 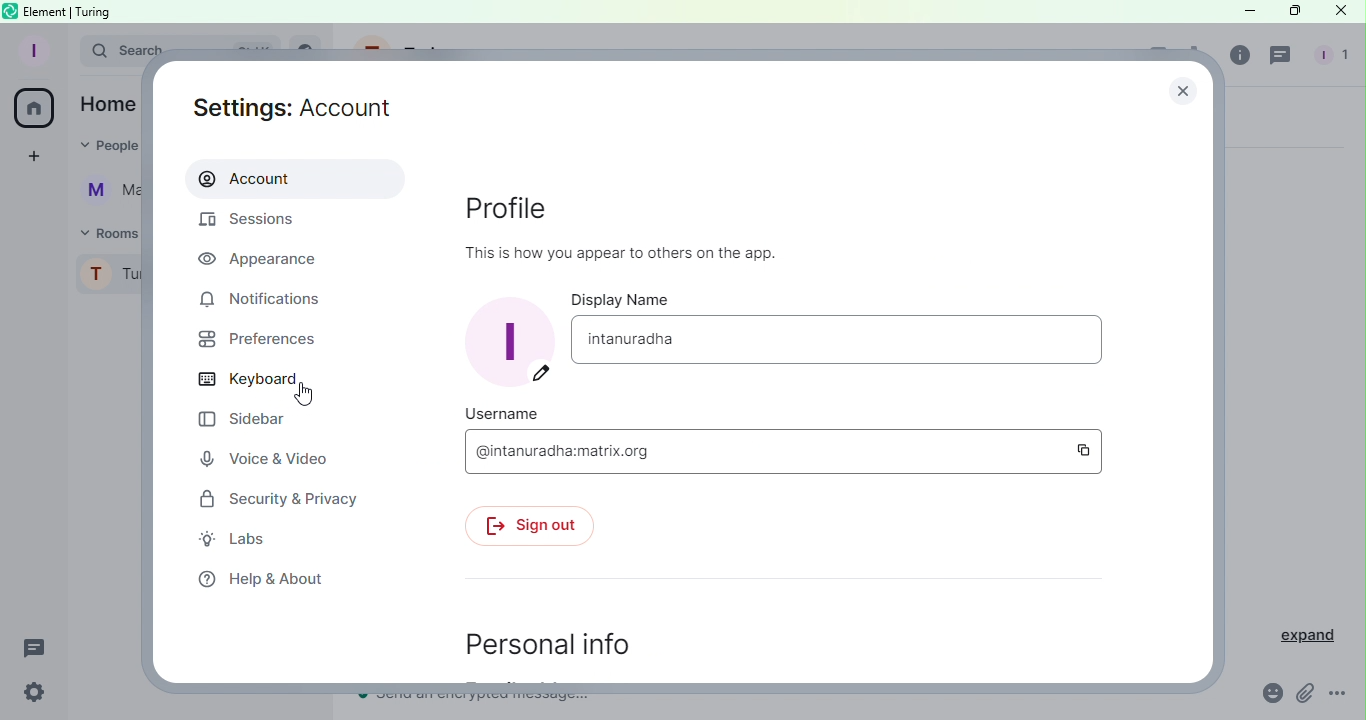 I want to click on Minimize, so click(x=1247, y=10).